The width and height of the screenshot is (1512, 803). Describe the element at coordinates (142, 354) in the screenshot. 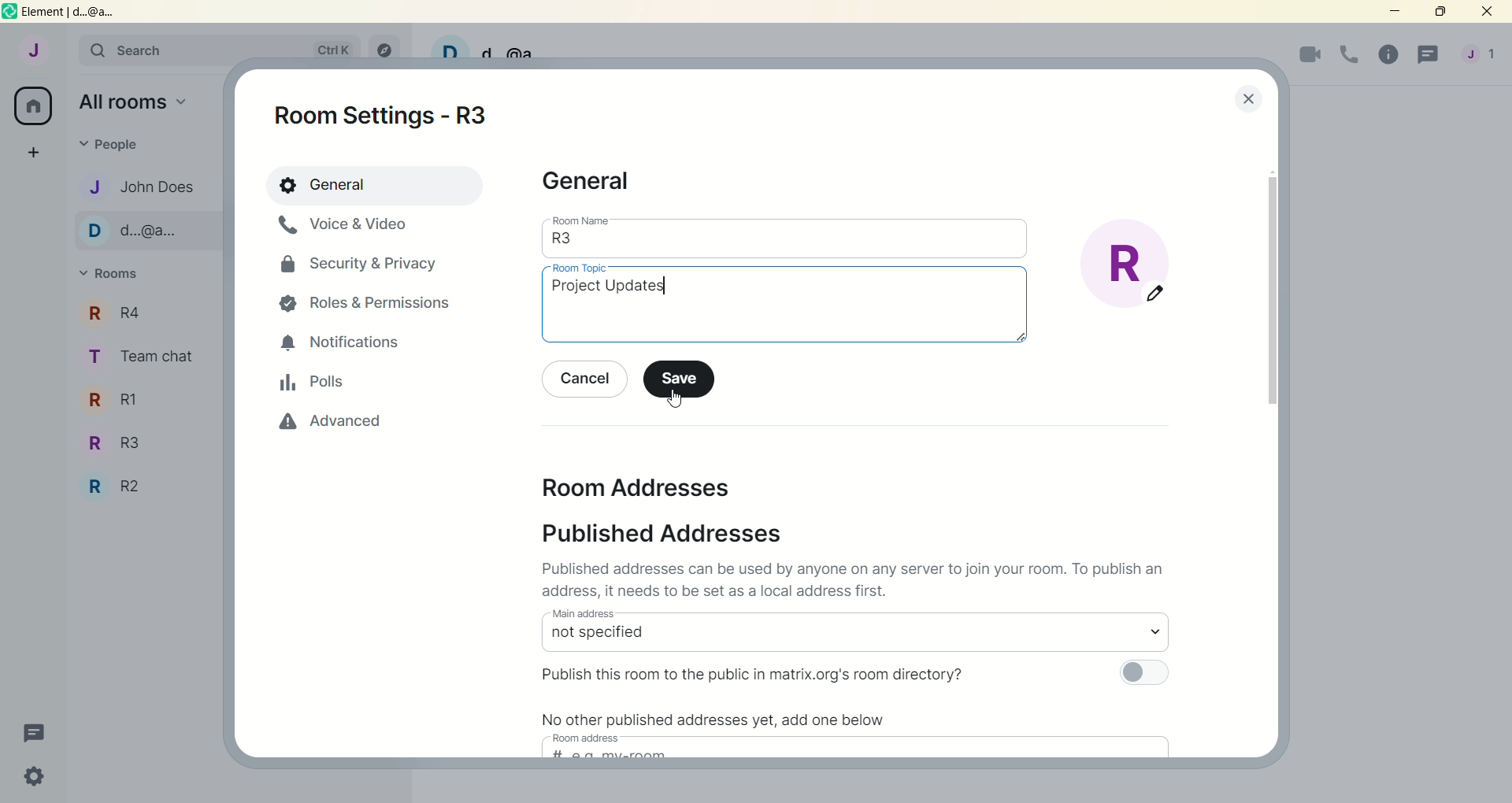

I see `team chat` at that location.